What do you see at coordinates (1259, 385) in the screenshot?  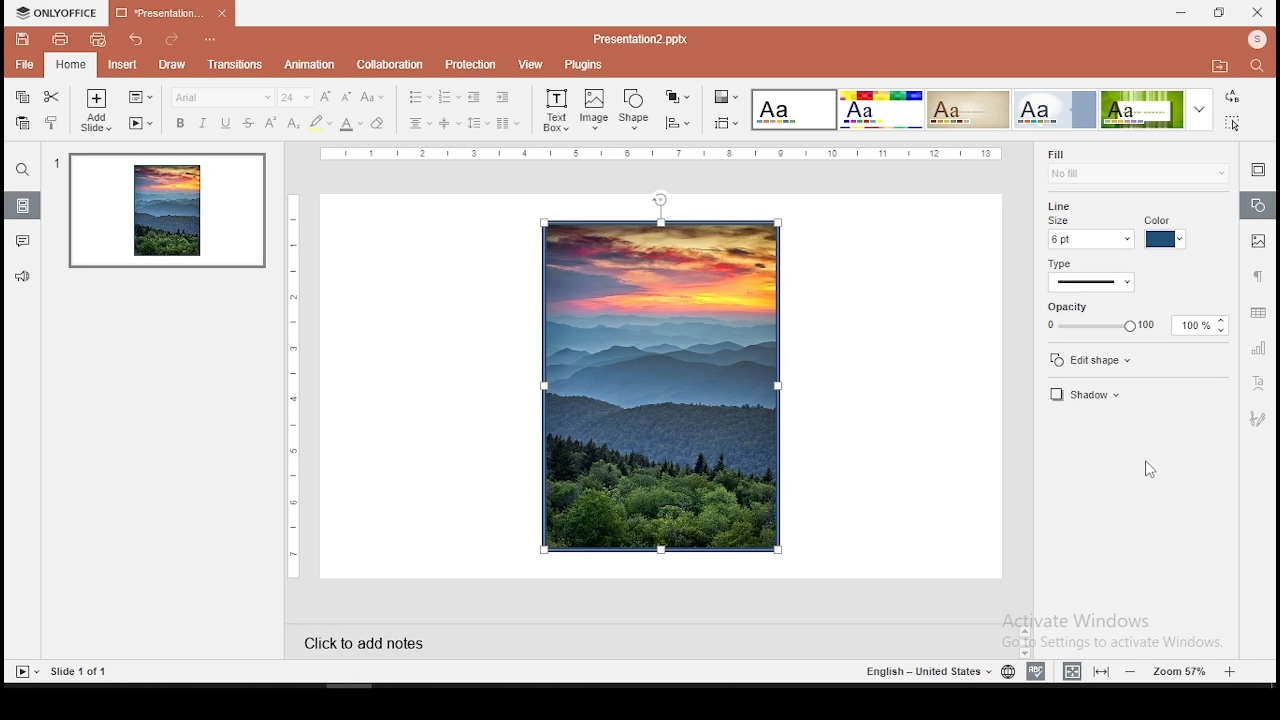 I see `text art tool` at bounding box center [1259, 385].